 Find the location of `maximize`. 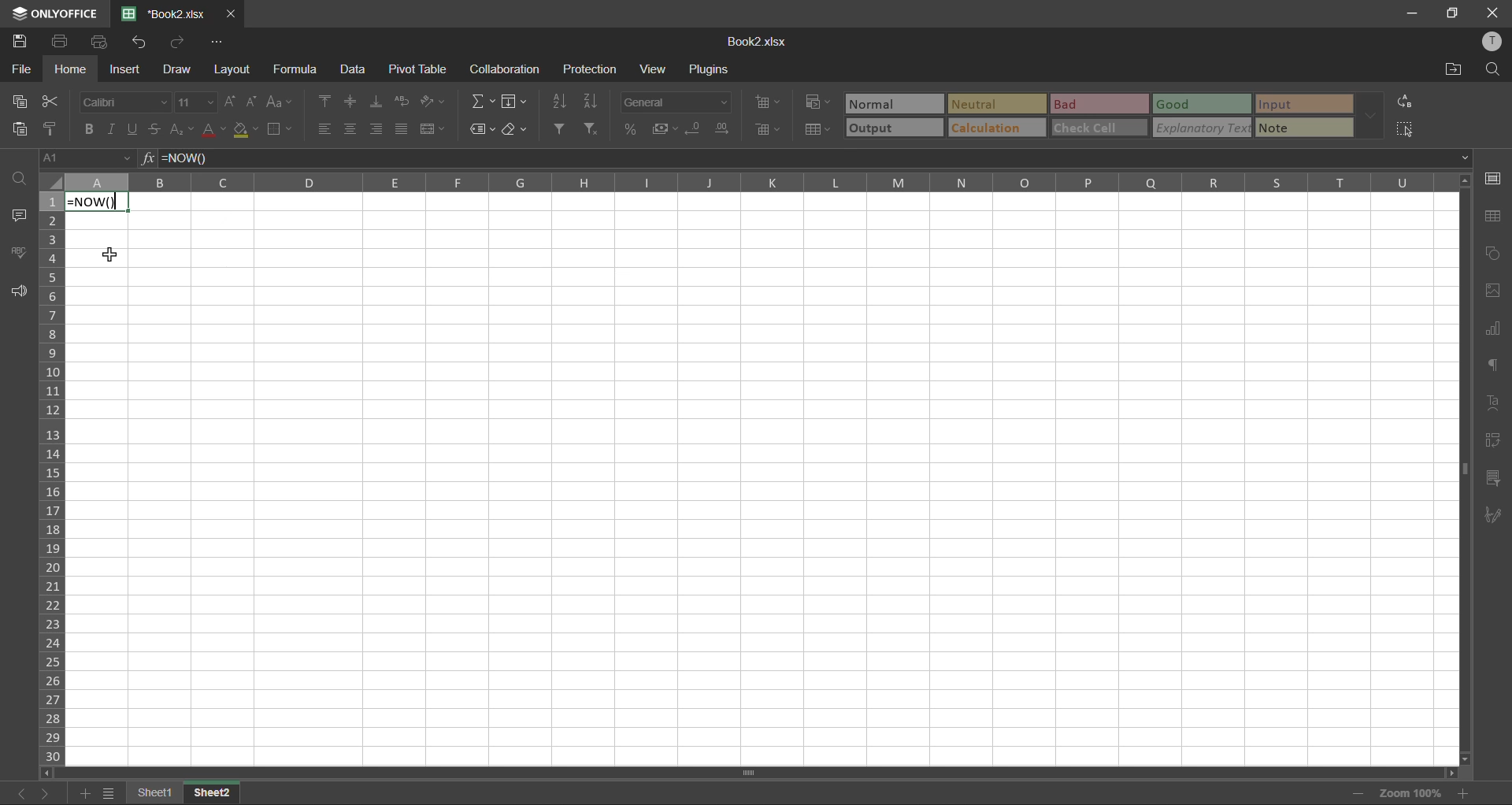

maximize is located at coordinates (1455, 13).